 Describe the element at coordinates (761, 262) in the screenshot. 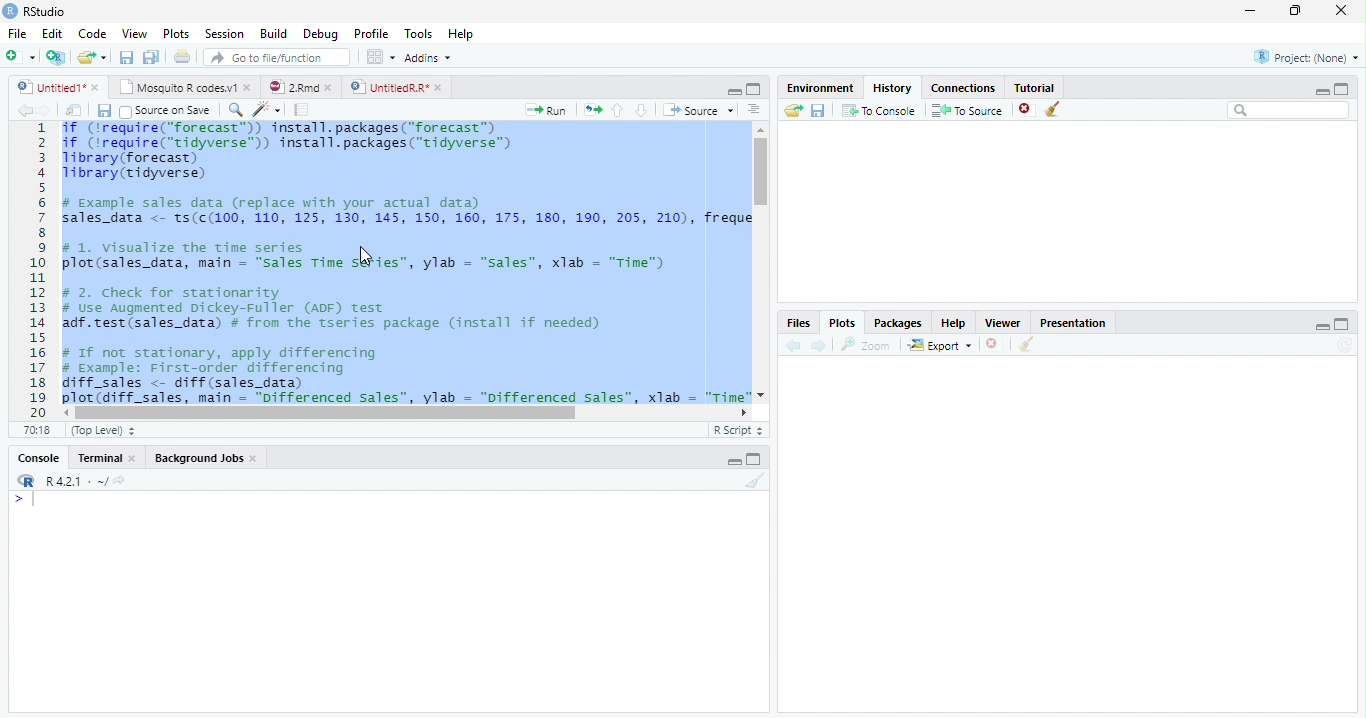

I see `Scroll` at that location.